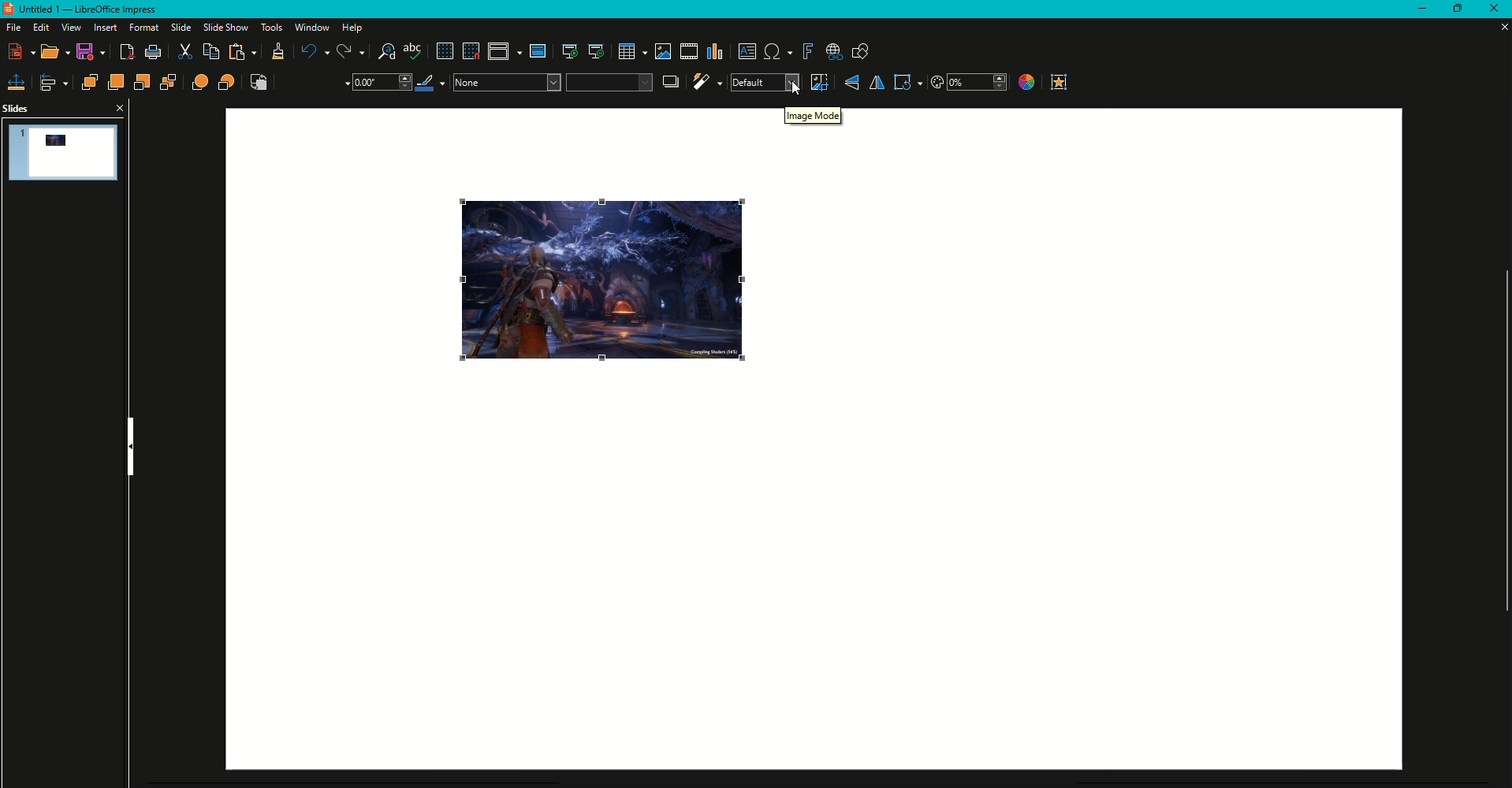  Describe the element at coordinates (380, 83) in the screenshot. I see `Line Thickness` at that location.